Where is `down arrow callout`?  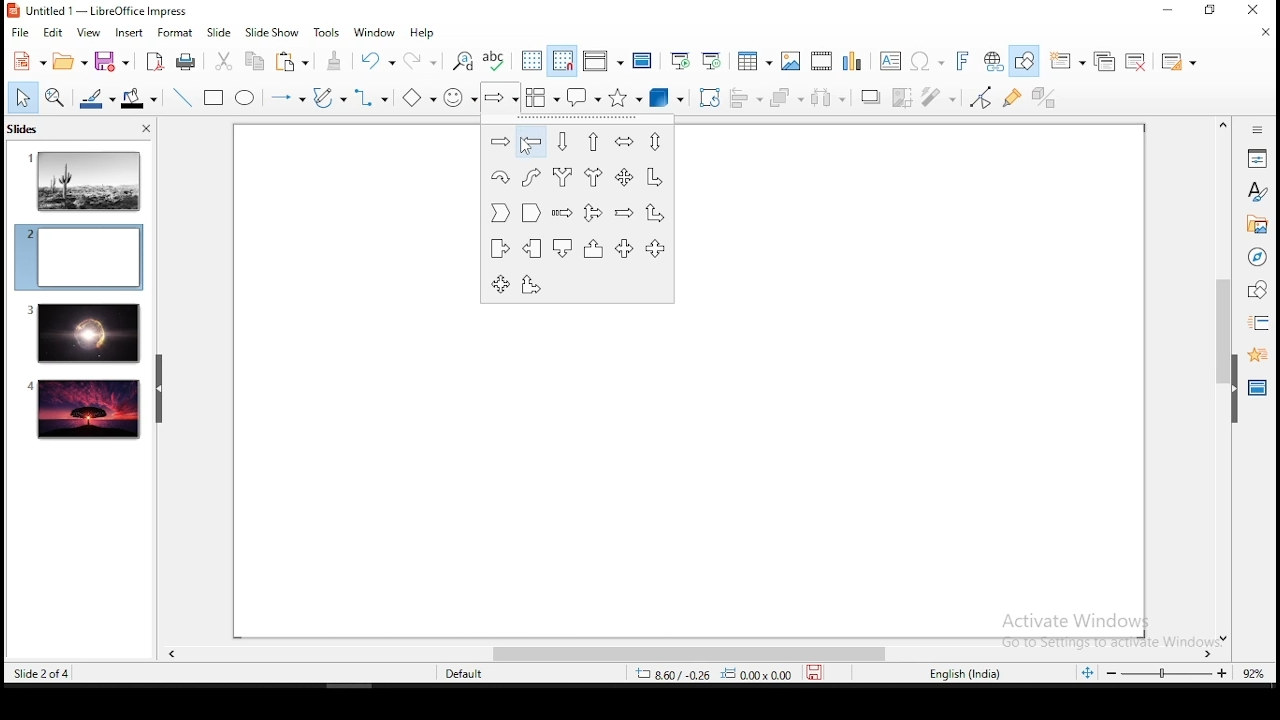 down arrow callout is located at coordinates (565, 247).